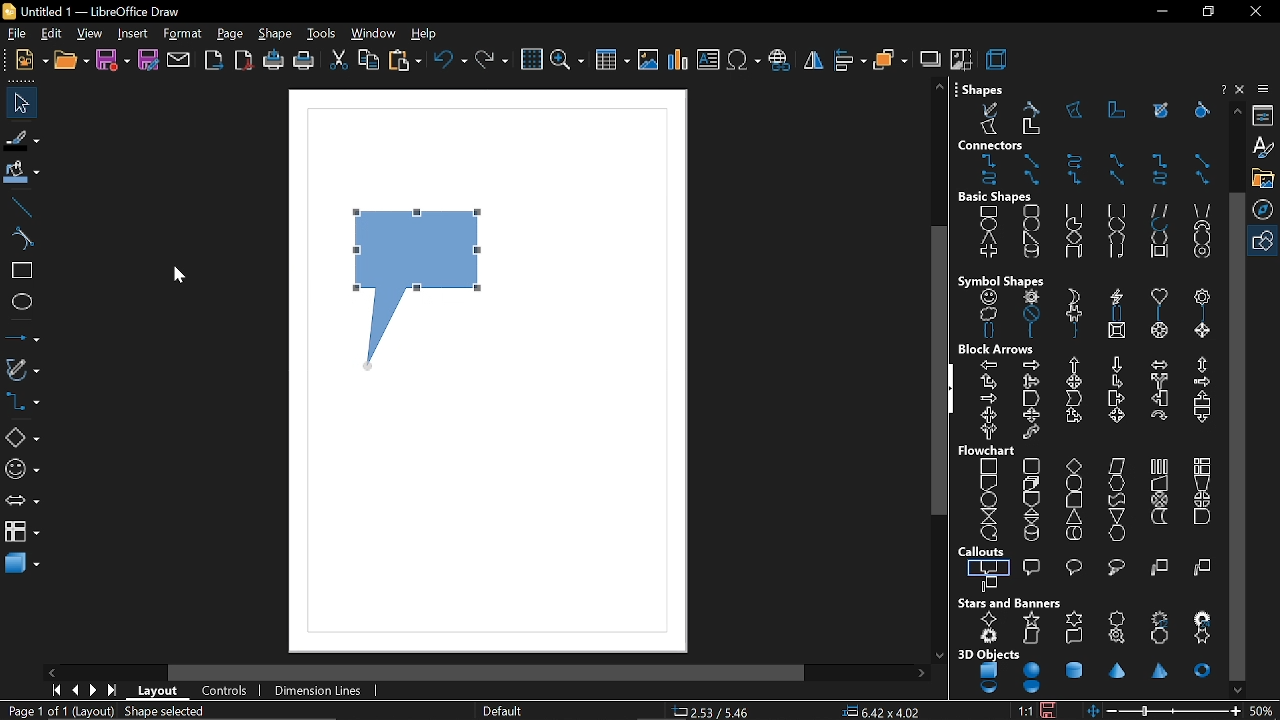  I want to click on shadow, so click(929, 58).